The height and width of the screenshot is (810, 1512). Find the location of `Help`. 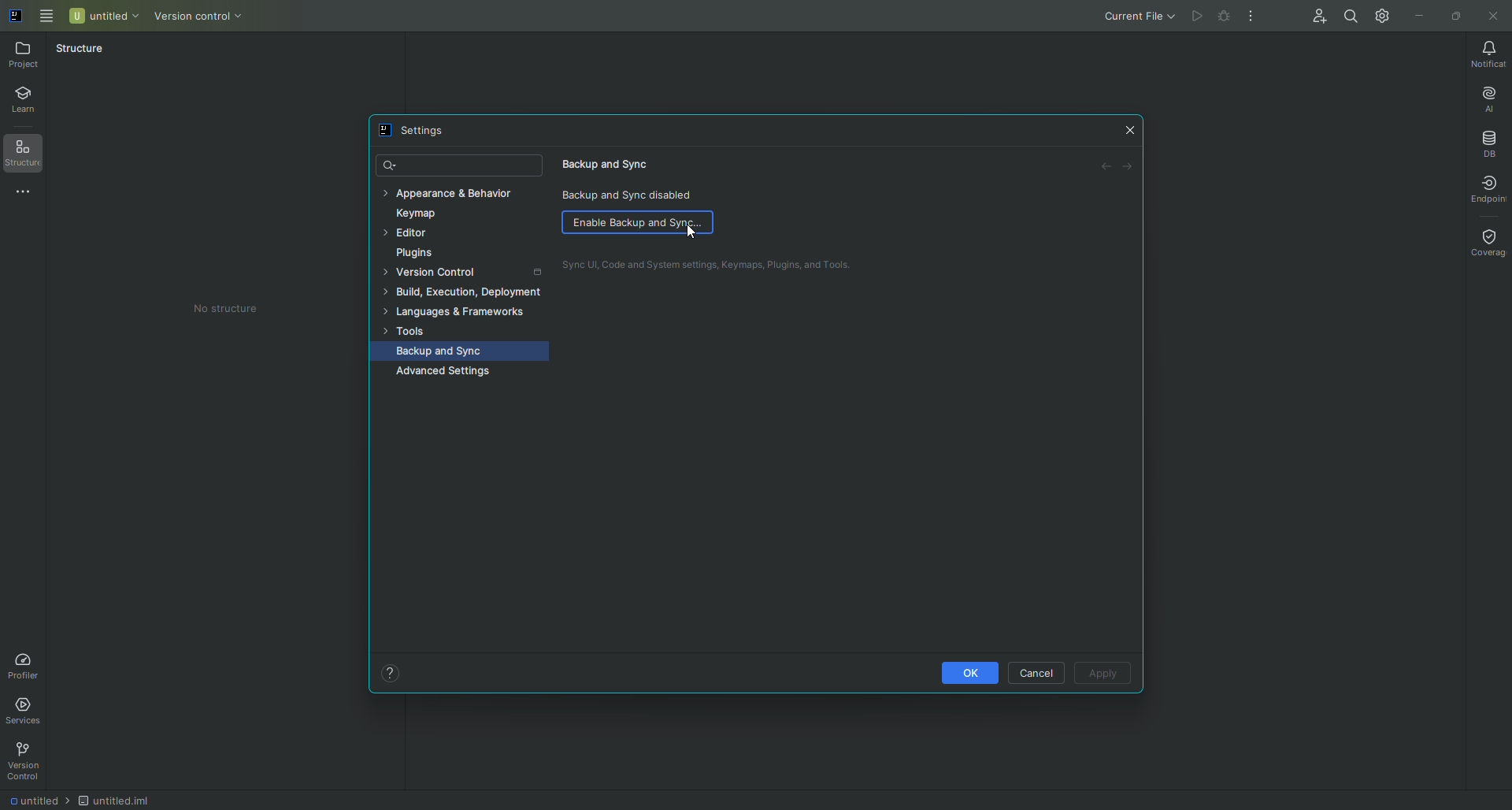

Help is located at coordinates (390, 672).